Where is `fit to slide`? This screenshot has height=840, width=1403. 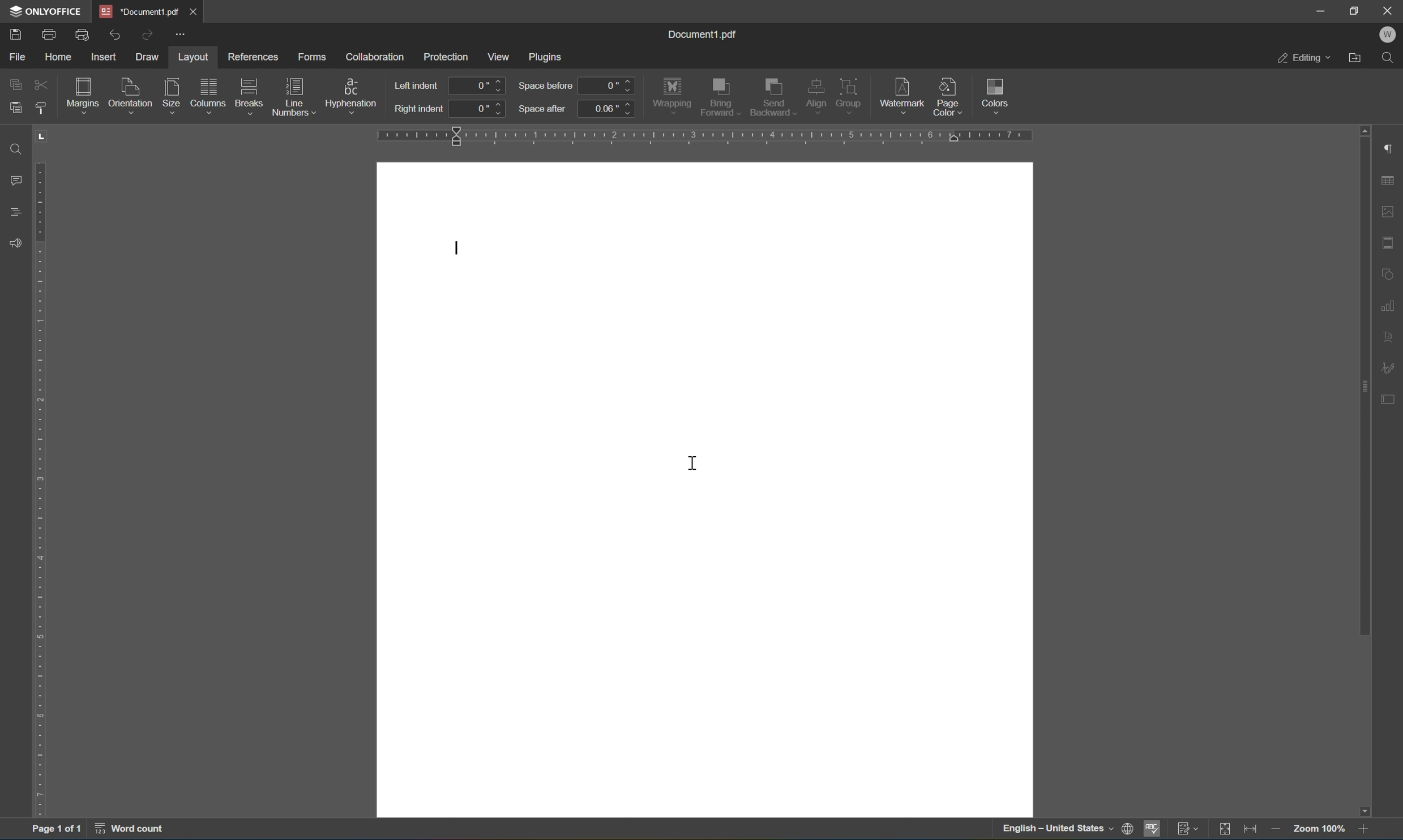
fit to slide is located at coordinates (1229, 829).